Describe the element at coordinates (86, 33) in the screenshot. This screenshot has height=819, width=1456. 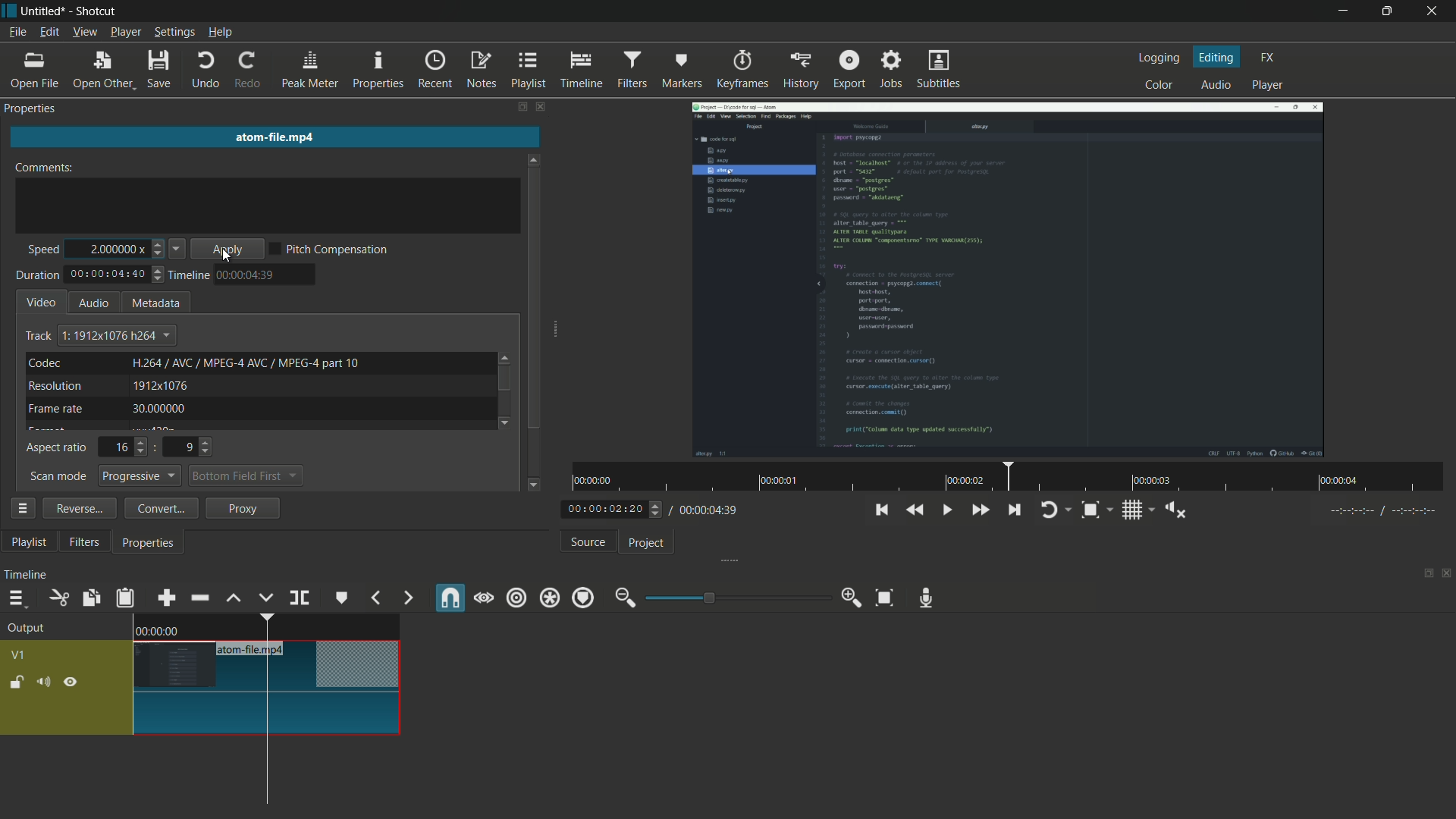
I see `view menu` at that location.